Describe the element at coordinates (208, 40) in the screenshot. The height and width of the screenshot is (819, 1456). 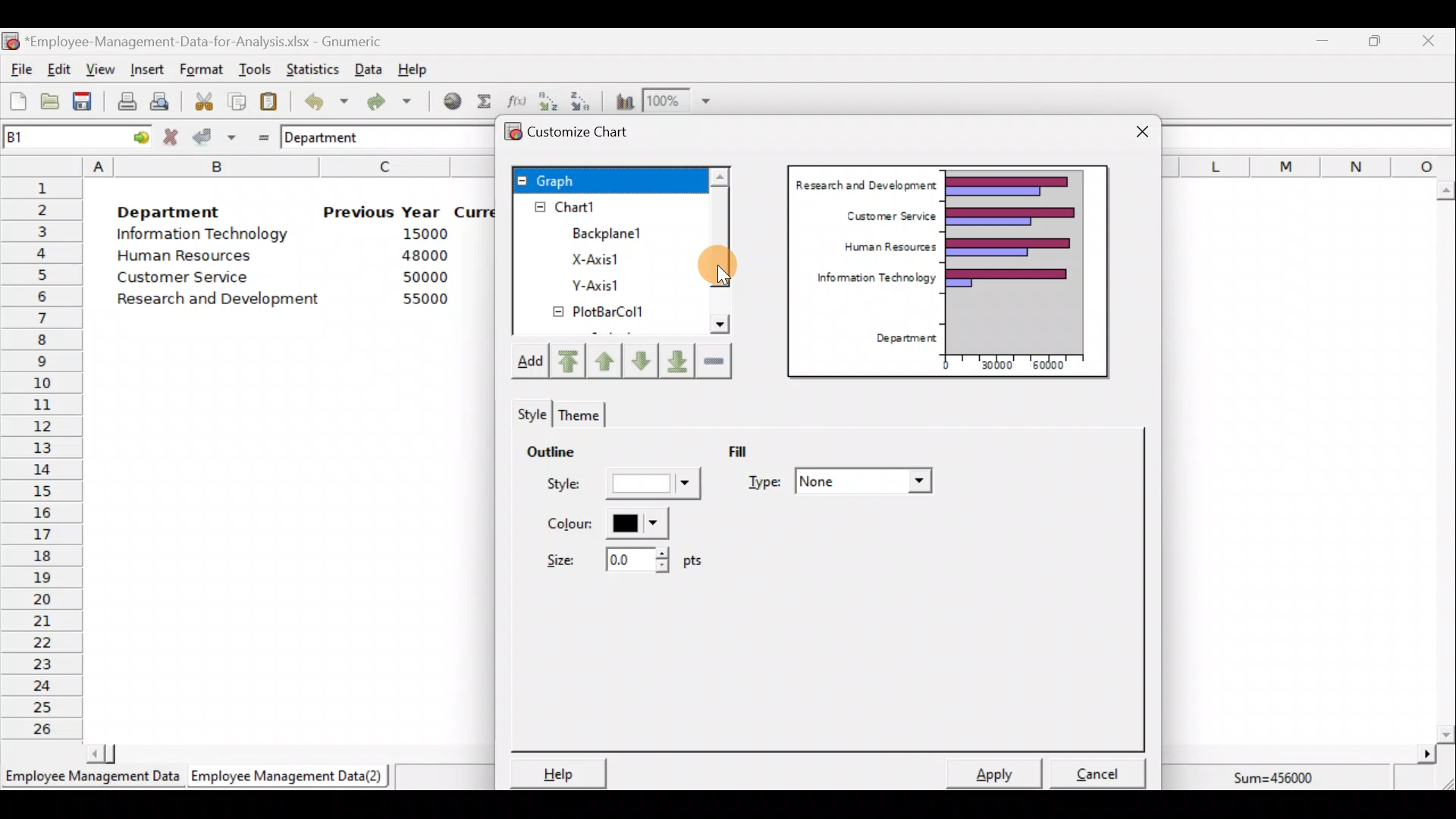
I see `‘Employee-Management-Data-for-Analysis.xlsx - Gnumeric` at that location.